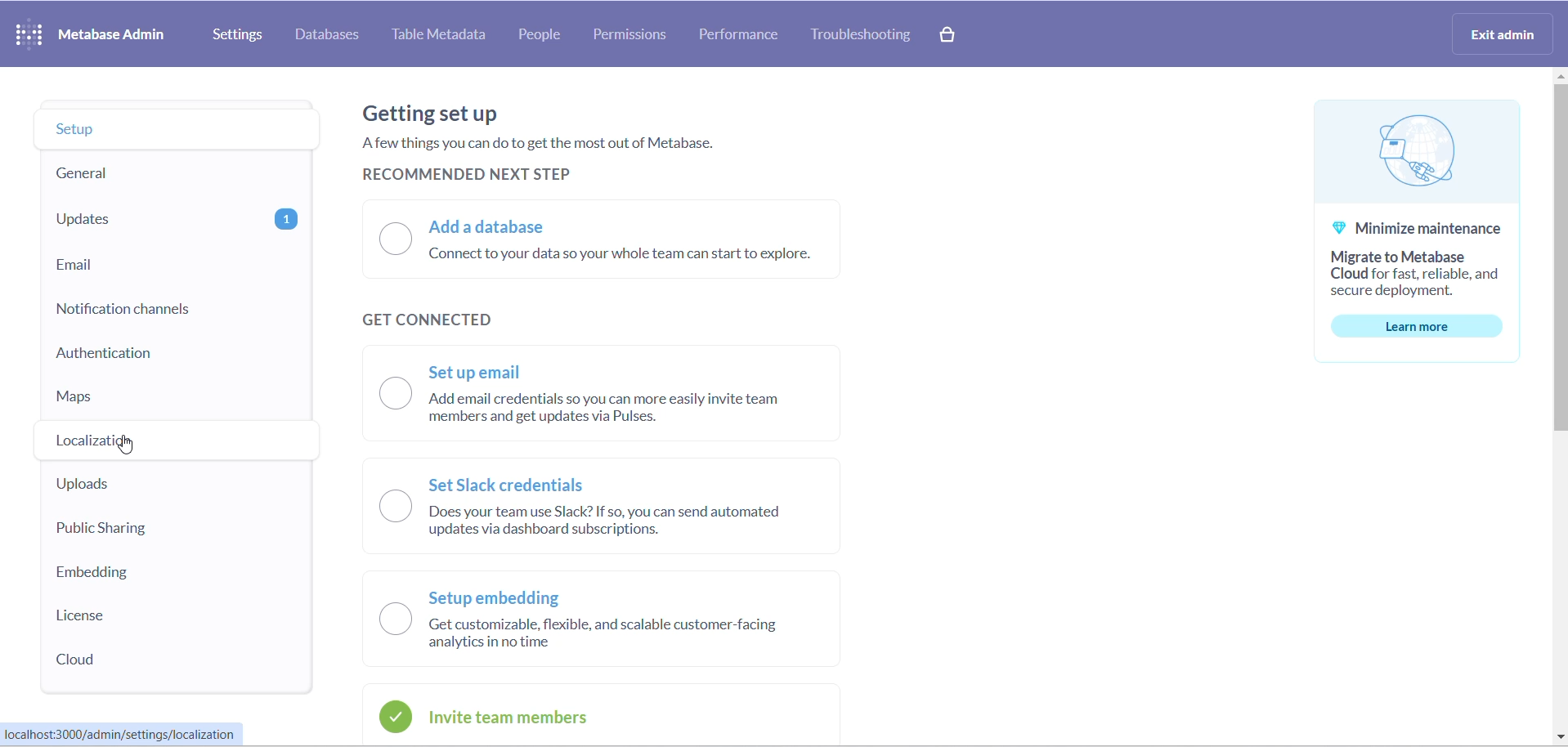  Describe the element at coordinates (90, 33) in the screenshot. I see `LOGO AND APPLICATION NAME` at that location.